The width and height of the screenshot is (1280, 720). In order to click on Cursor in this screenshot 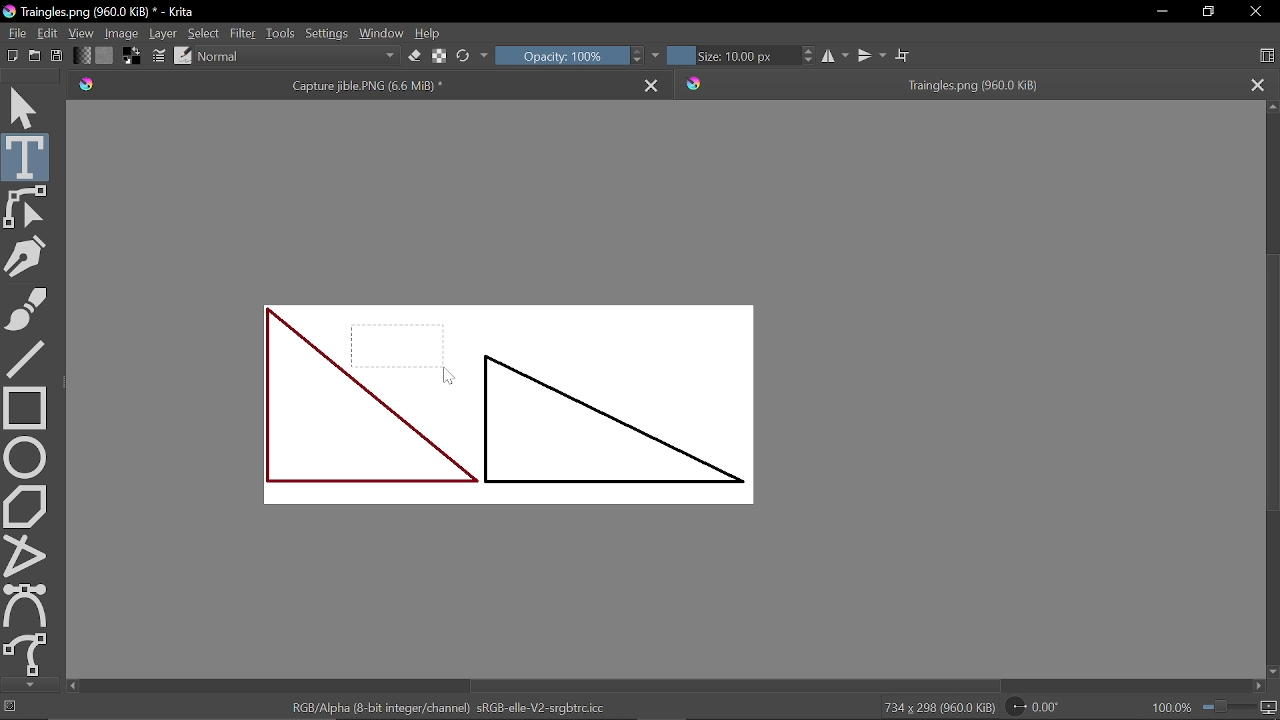, I will do `click(446, 374)`.